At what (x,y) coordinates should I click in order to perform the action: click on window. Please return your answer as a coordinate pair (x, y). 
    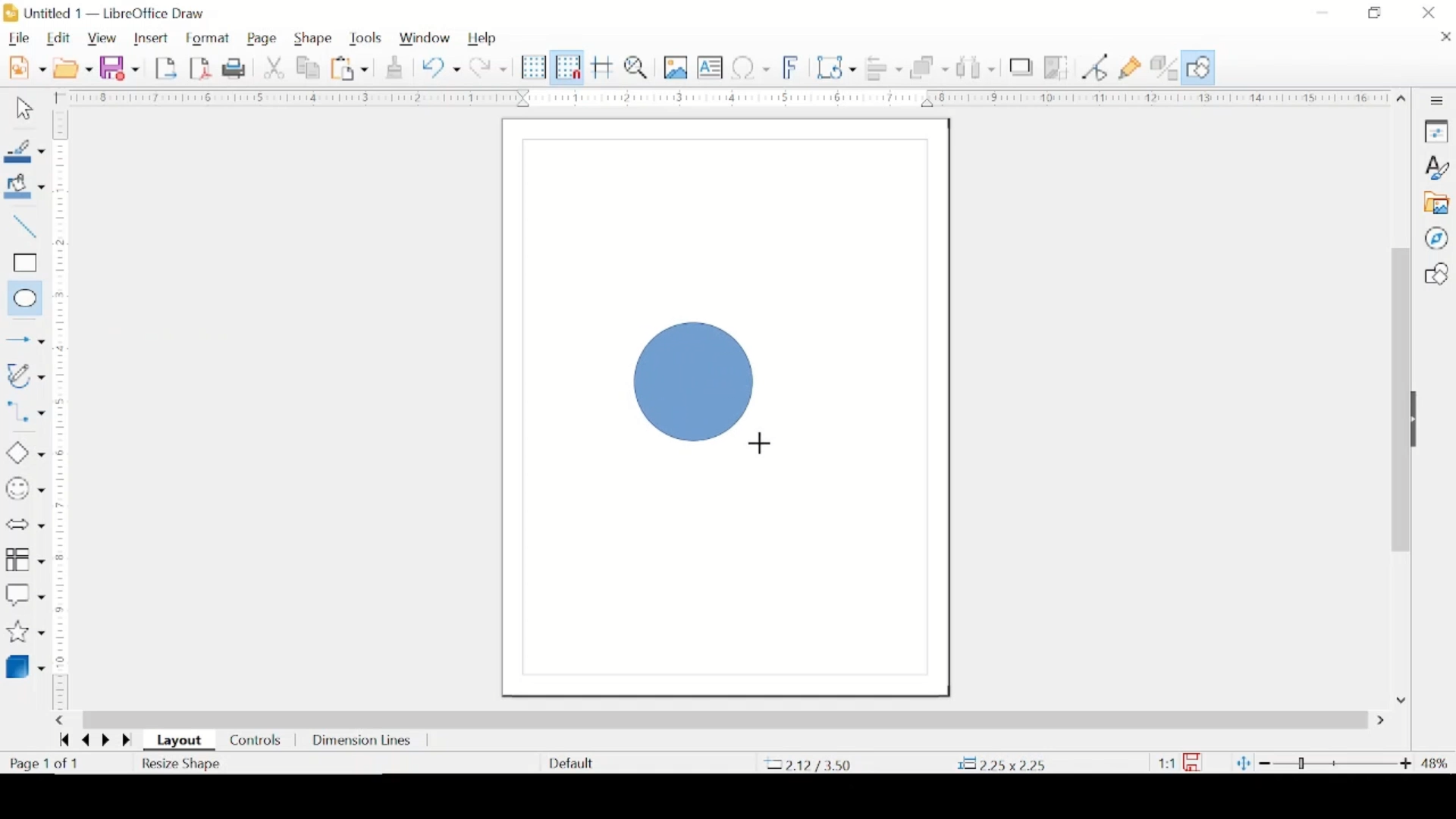
    Looking at the image, I should click on (425, 39).